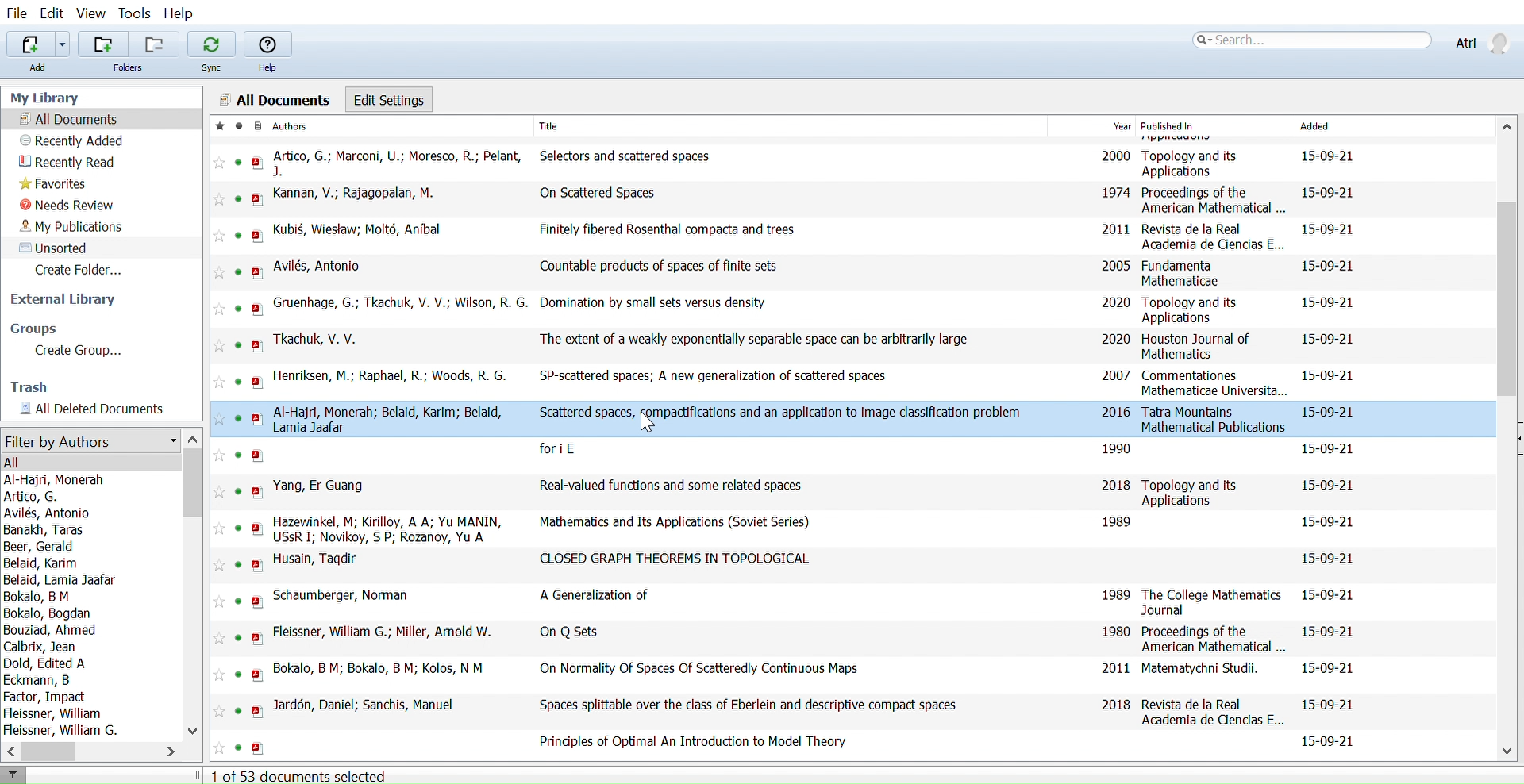  Describe the element at coordinates (217, 676) in the screenshot. I see `Favourite` at that location.